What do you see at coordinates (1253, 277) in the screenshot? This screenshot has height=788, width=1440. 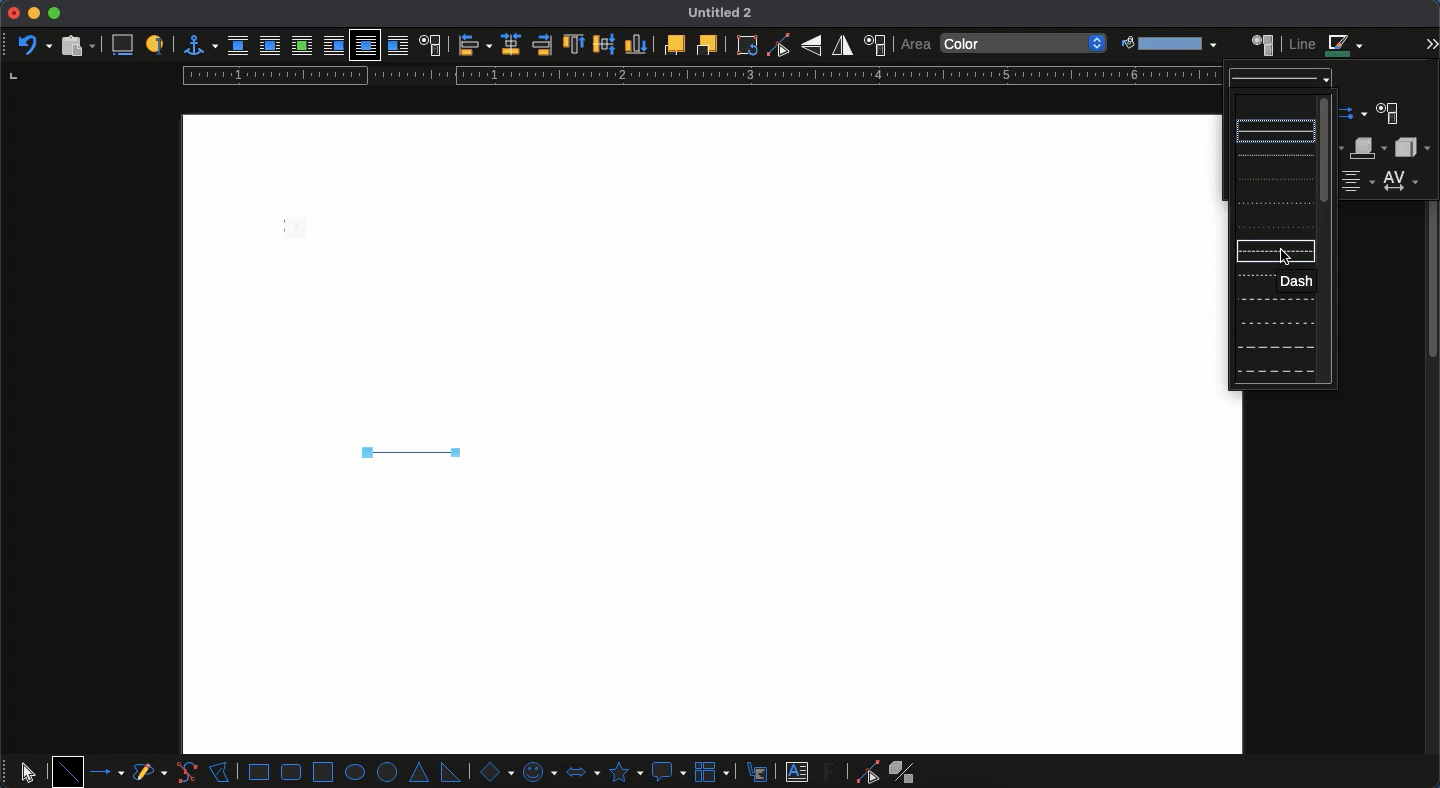 I see `Dash (rounded)` at bounding box center [1253, 277].